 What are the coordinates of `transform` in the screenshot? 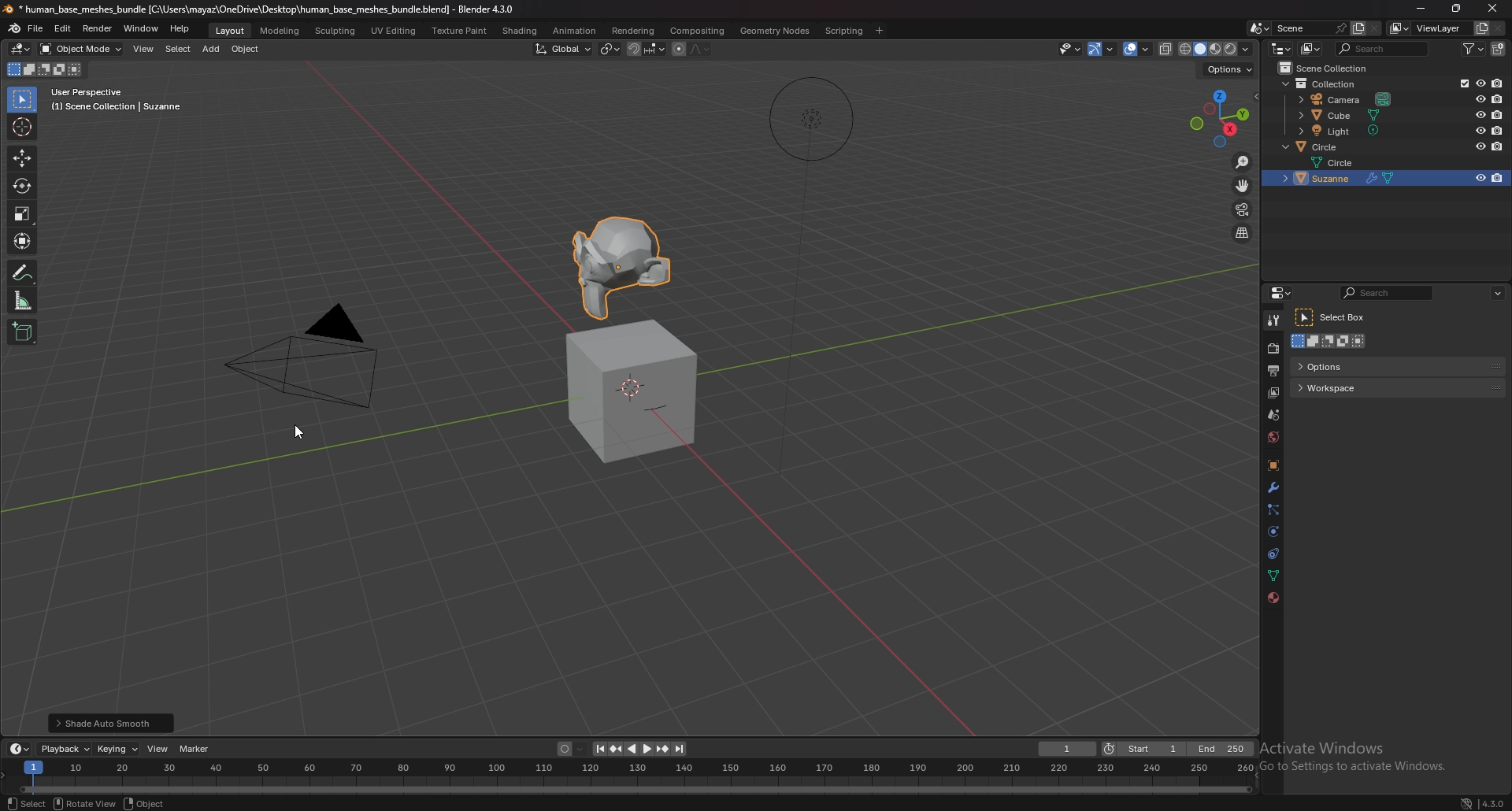 It's located at (24, 242).